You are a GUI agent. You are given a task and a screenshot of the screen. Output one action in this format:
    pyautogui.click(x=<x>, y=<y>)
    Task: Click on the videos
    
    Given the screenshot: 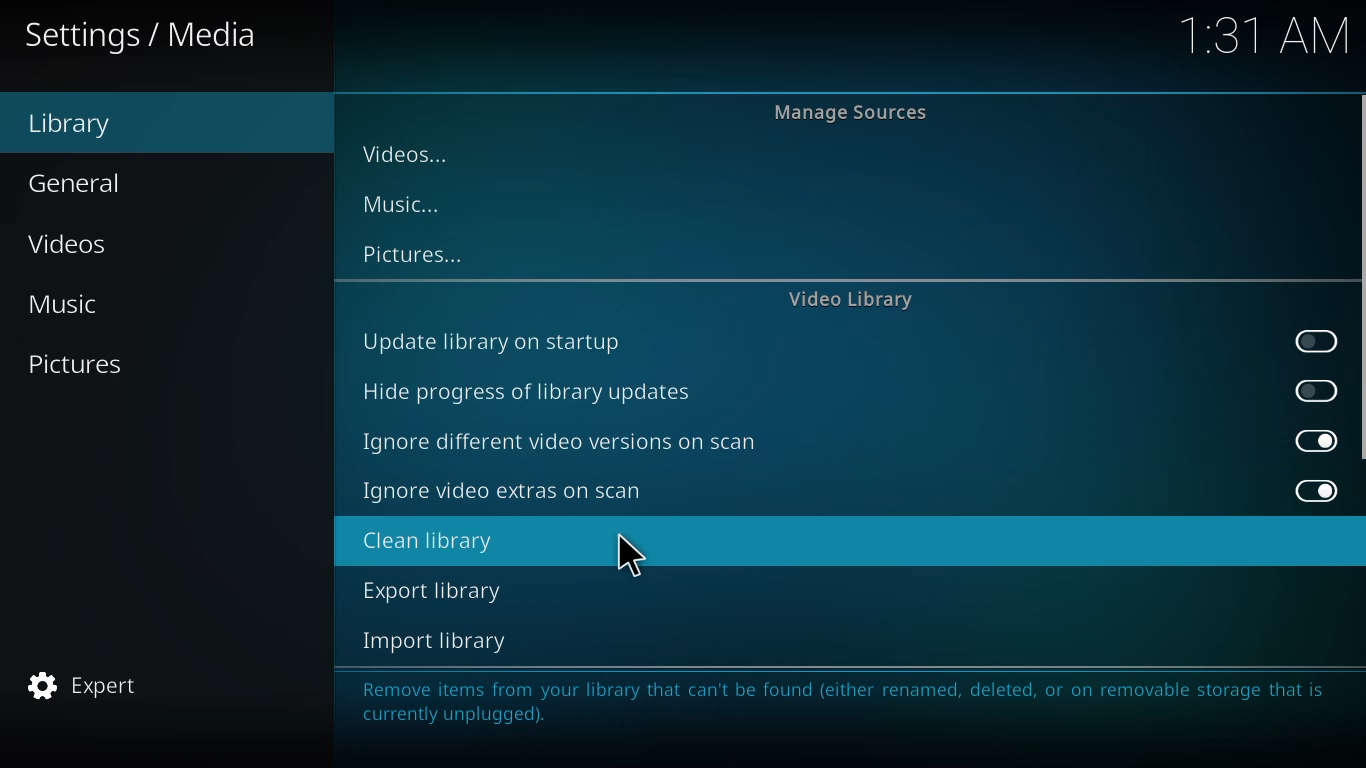 What is the action you would take?
    pyautogui.click(x=409, y=154)
    